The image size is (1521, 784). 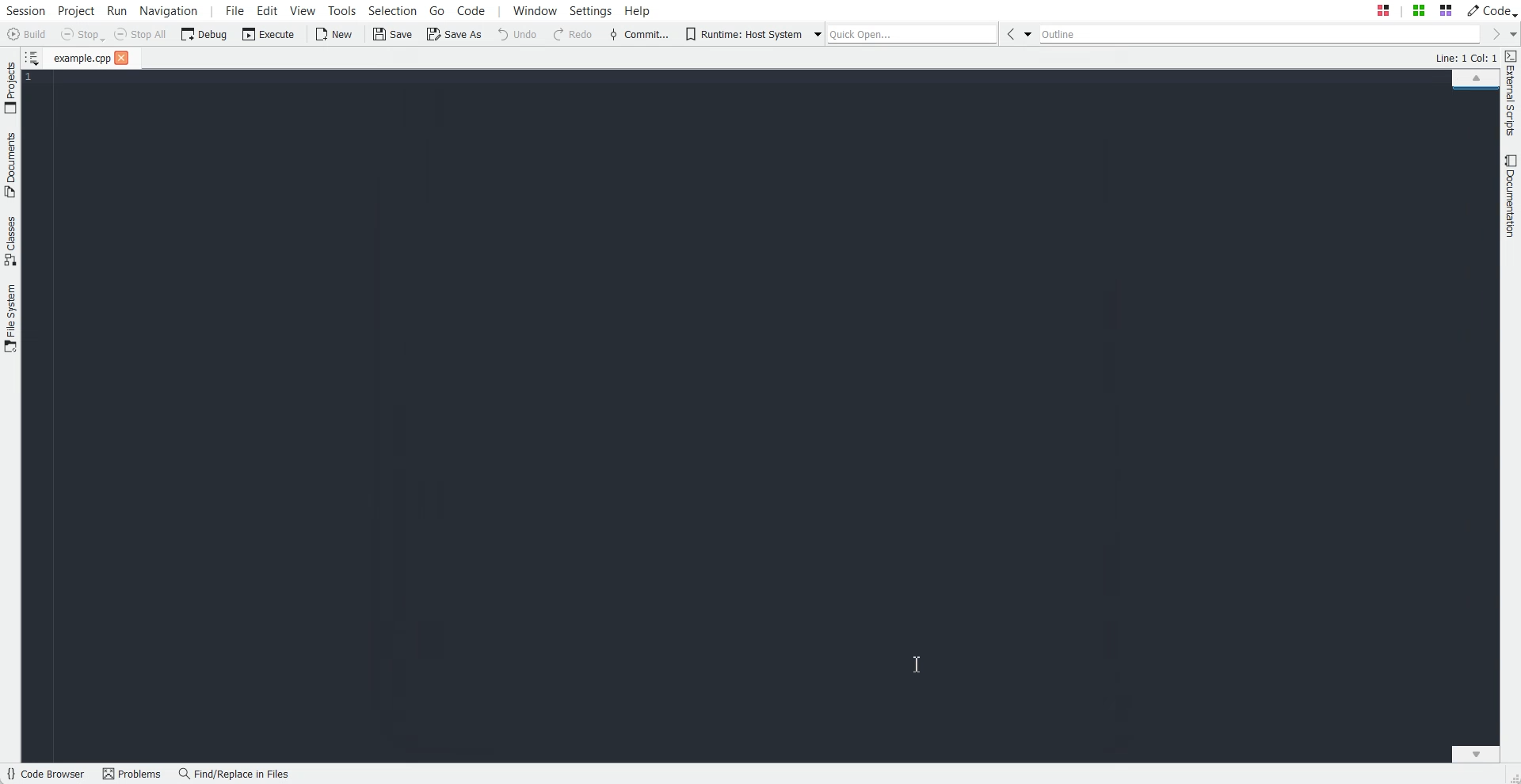 What do you see at coordinates (267, 10) in the screenshot?
I see `Edit` at bounding box center [267, 10].